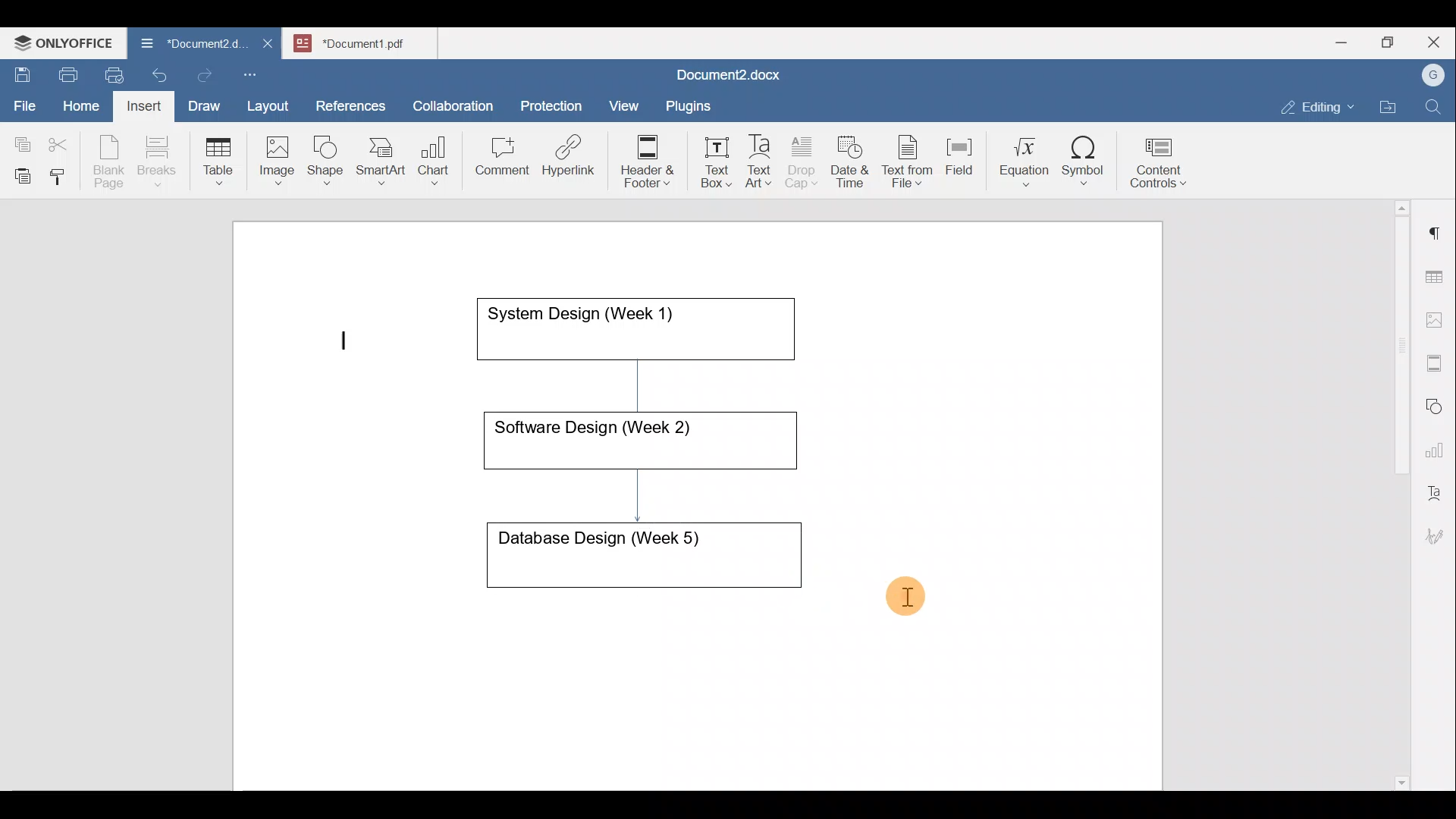 The width and height of the screenshot is (1456, 819). I want to click on Insert, so click(140, 103).